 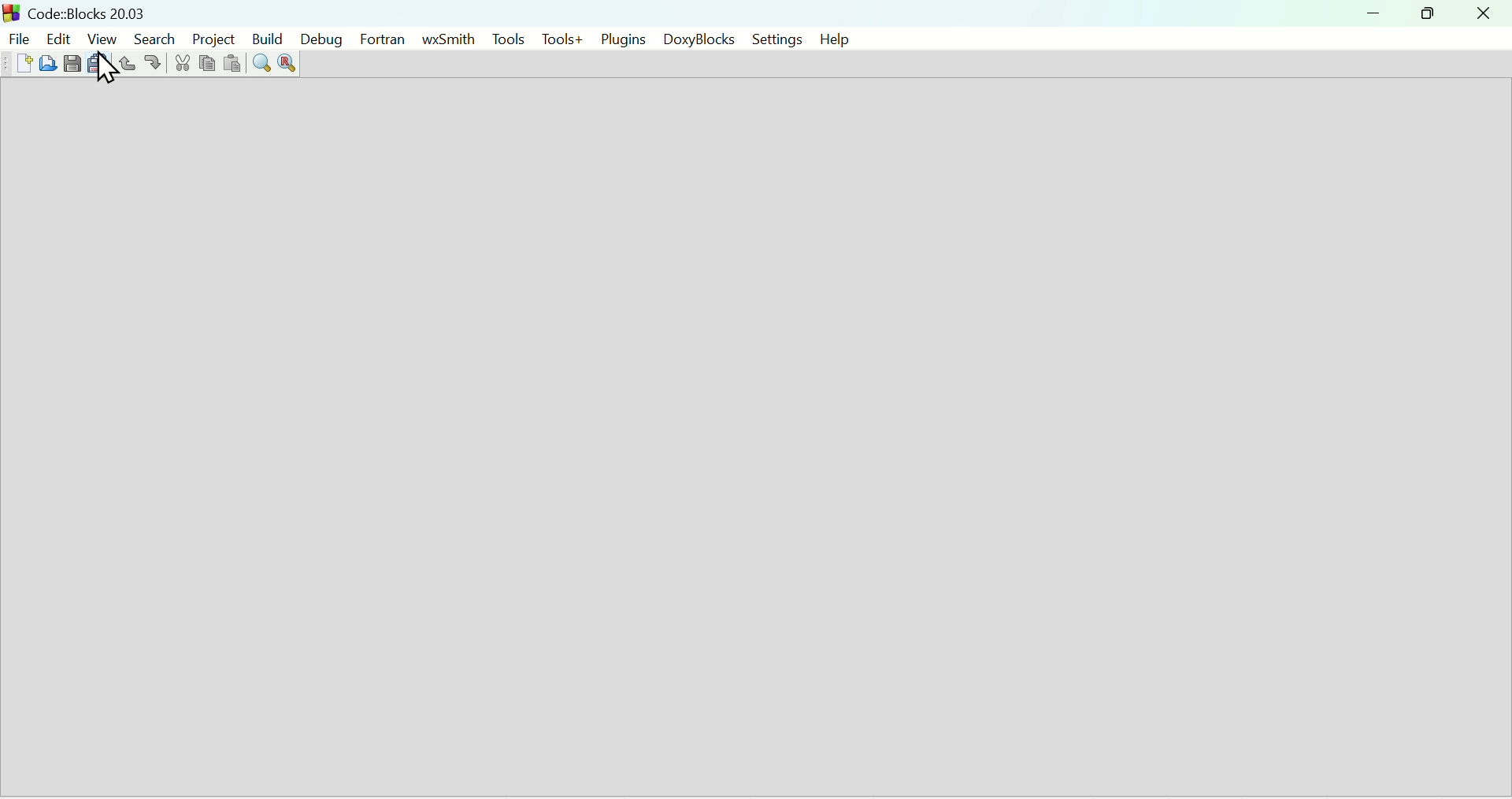 I want to click on Code Blocks Desktop icon, so click(x=13, y=12).